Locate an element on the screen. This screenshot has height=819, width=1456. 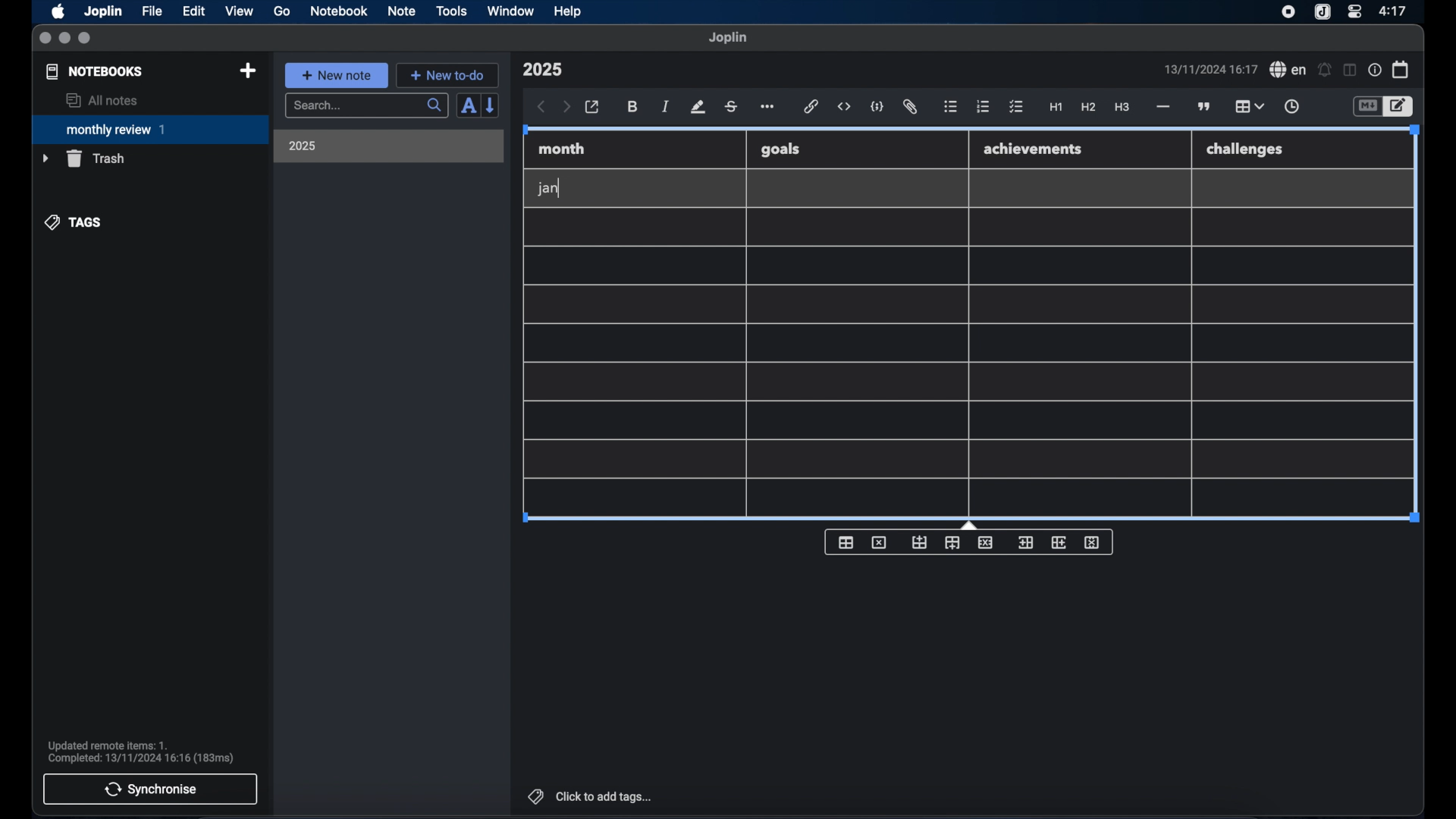
numbered list is located at coordinates (983, 106).